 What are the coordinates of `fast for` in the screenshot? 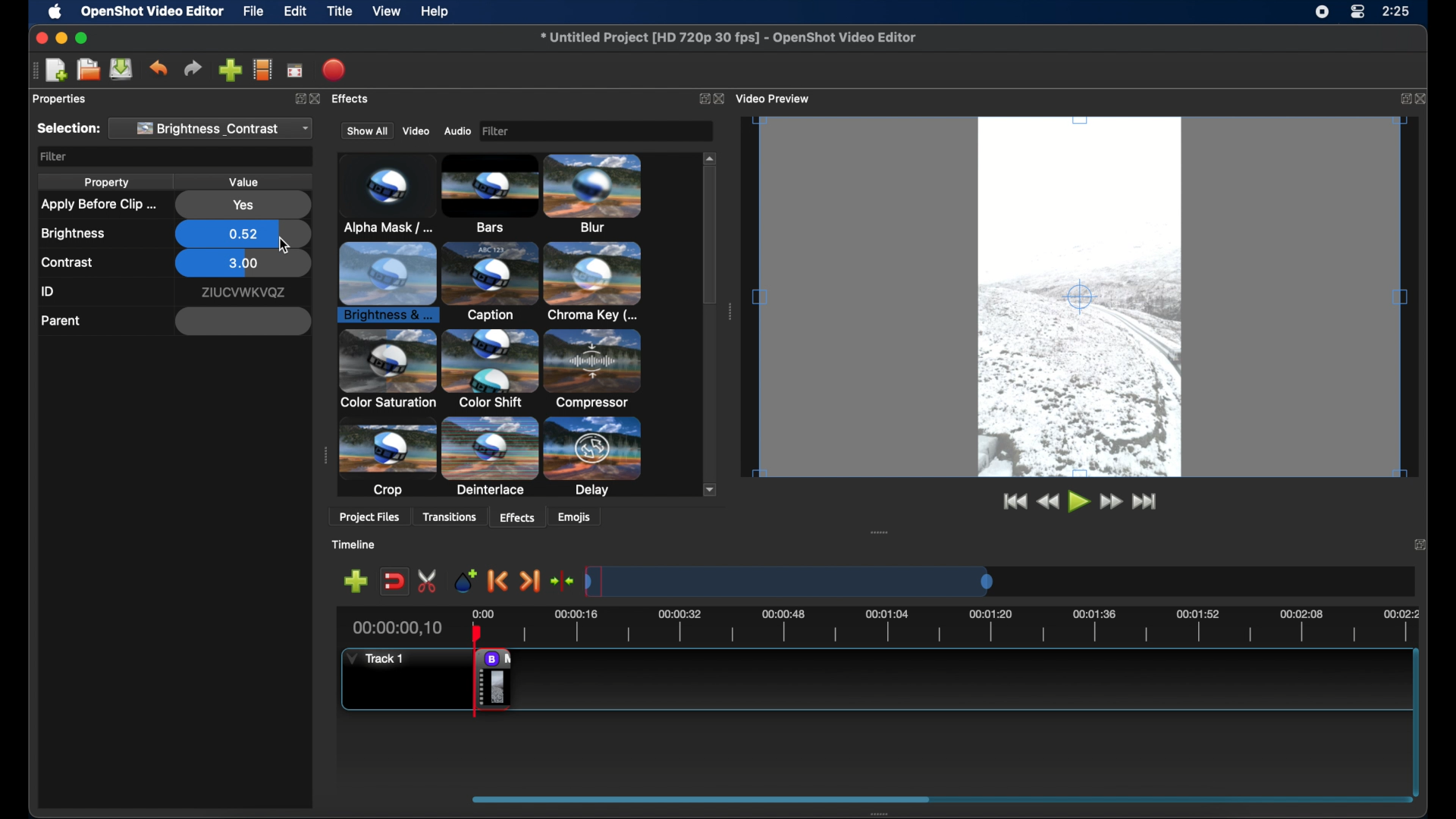 It's located at (1111, 504).